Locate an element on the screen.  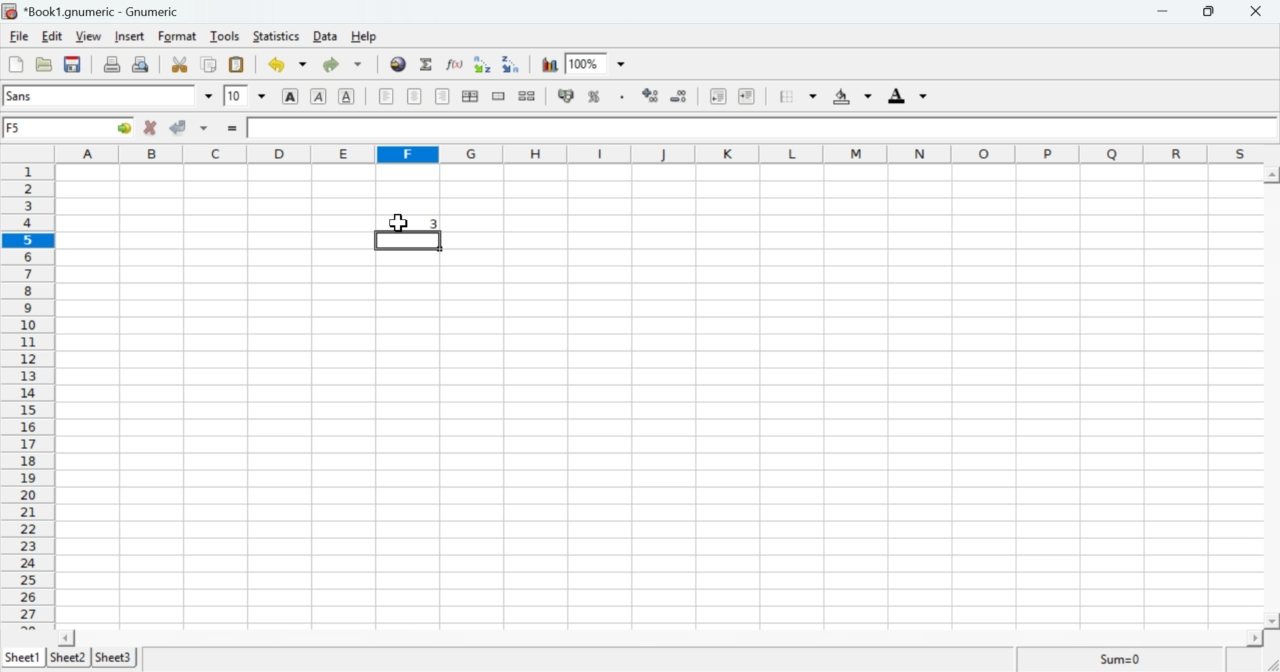
Copy is located at coordinates (210, 64).